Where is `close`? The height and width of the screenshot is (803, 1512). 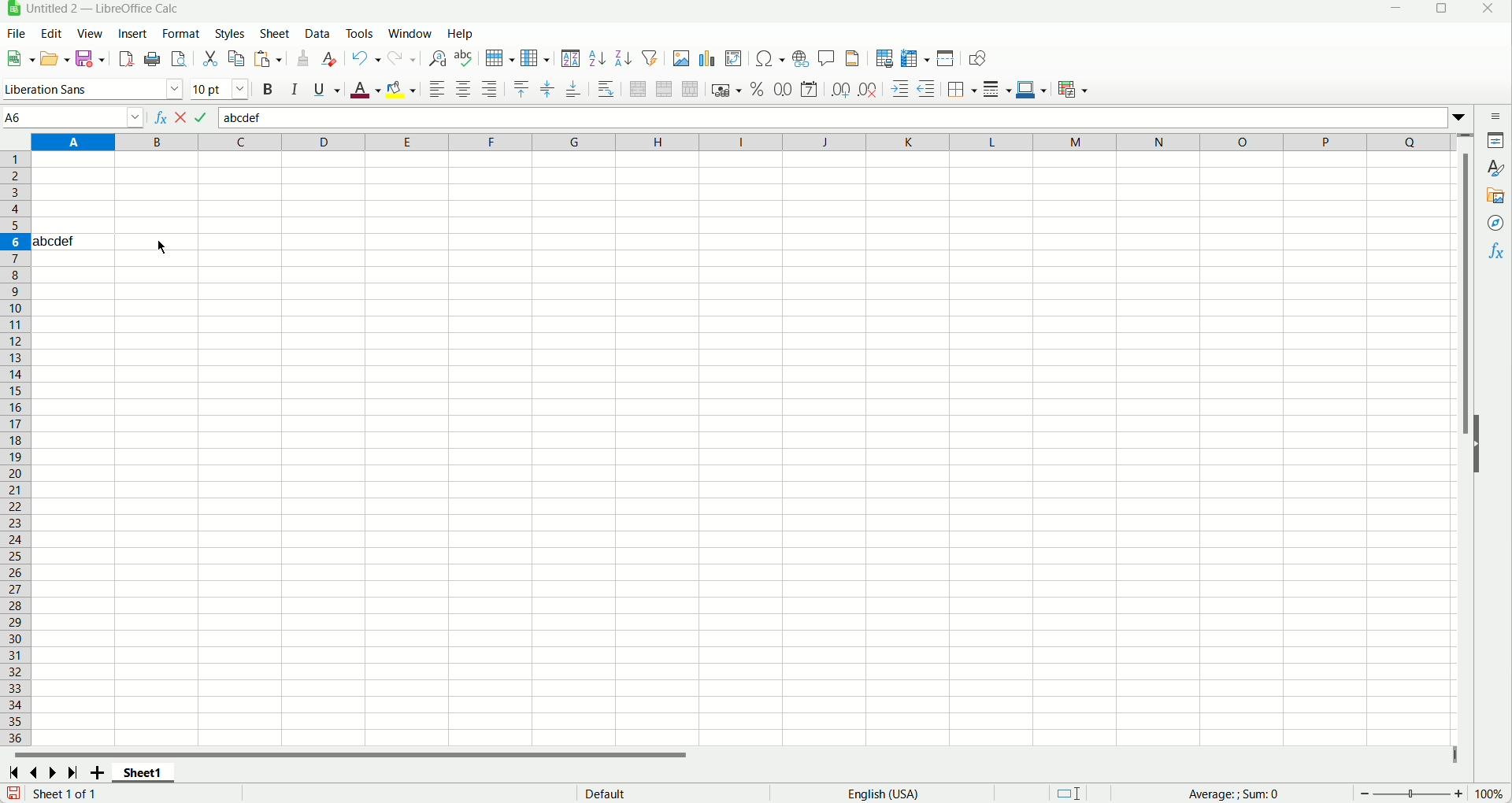
close is located at coordinates (1493, 9).